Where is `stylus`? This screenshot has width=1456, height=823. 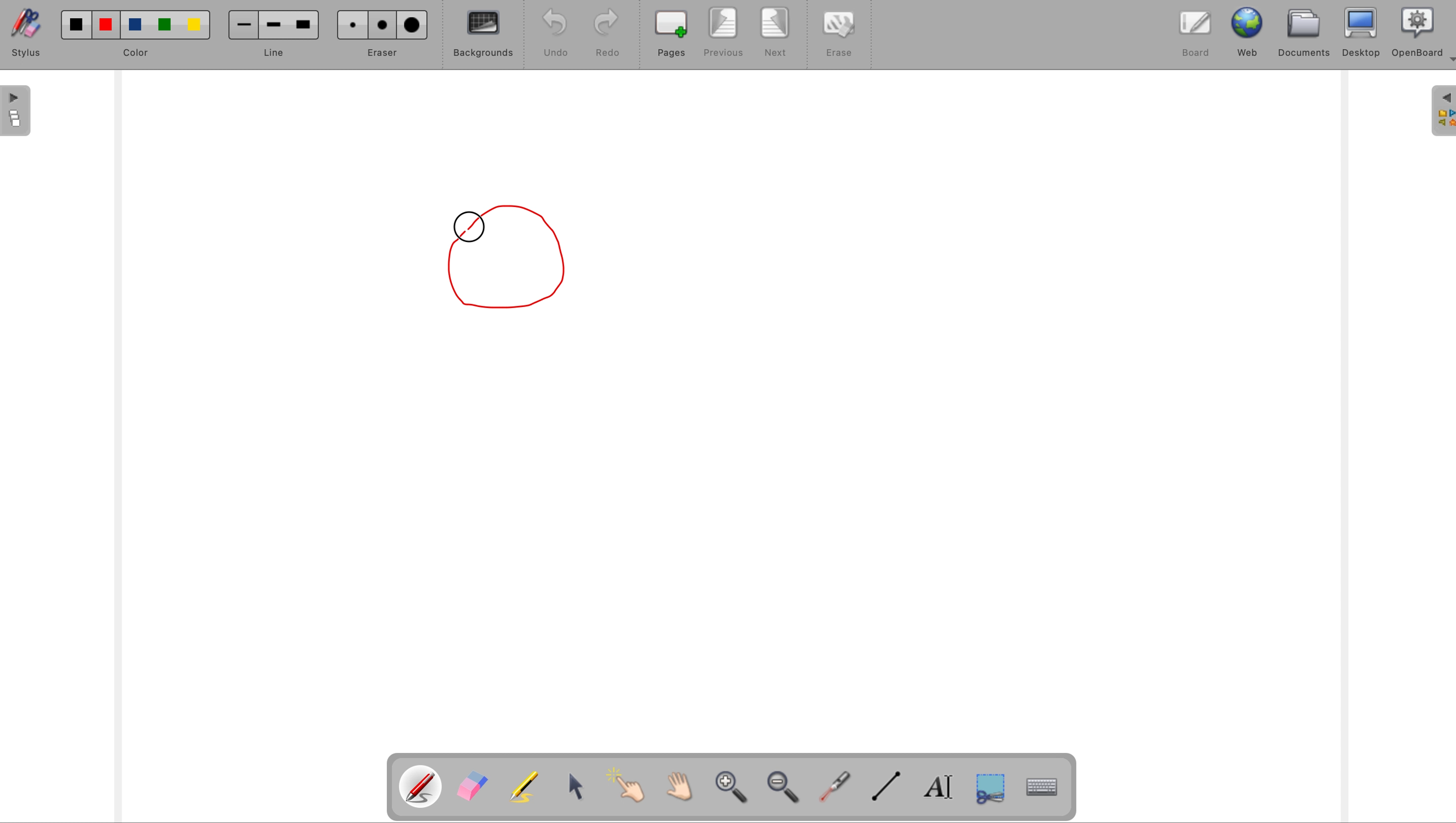
stylus is located at coordinates (31, 32).